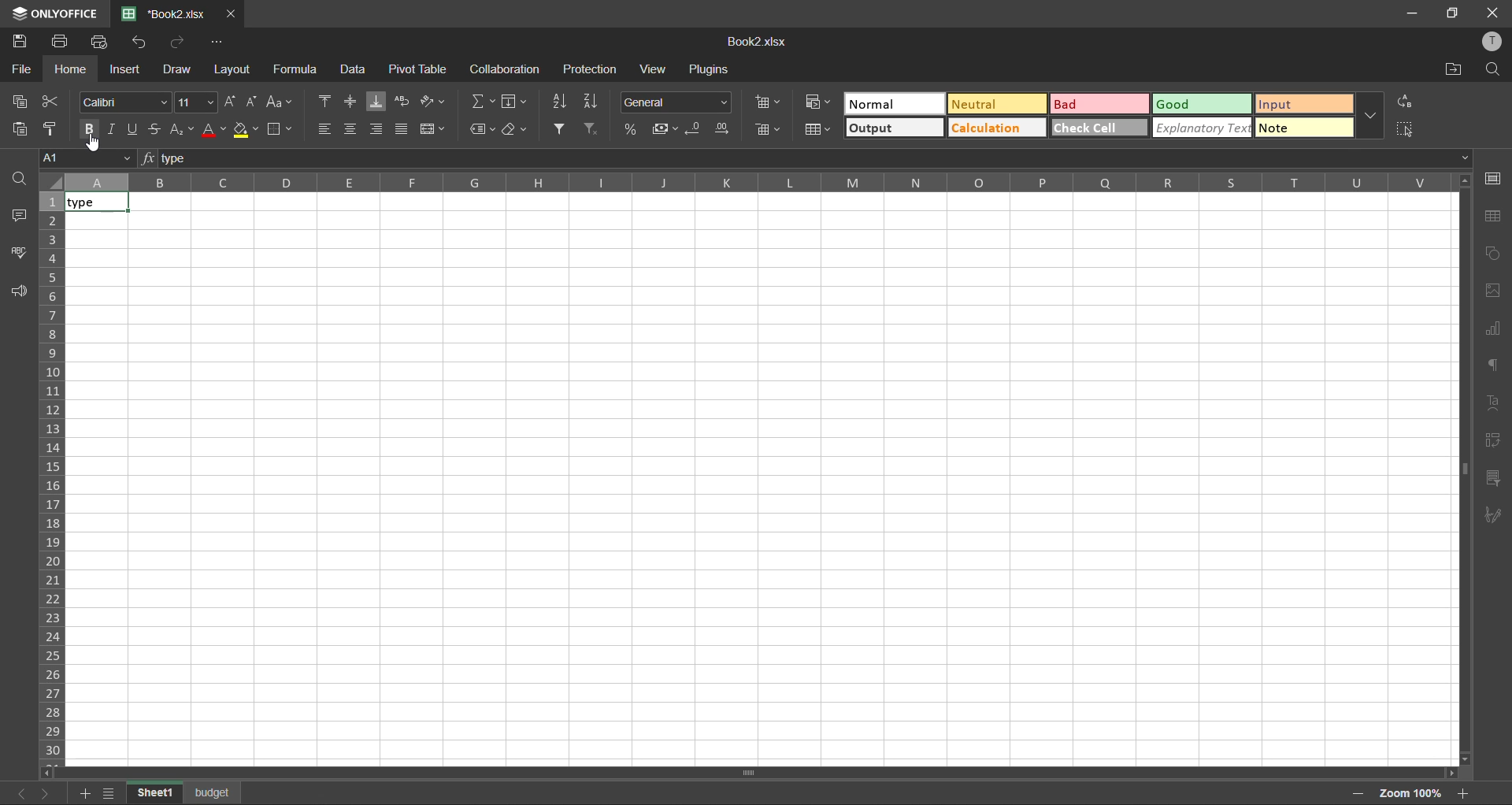 The height and width of the screenshot is (805, 1512). Describe the element at coordinates (148, 156) in the screenshot. I see `fx` at that location.